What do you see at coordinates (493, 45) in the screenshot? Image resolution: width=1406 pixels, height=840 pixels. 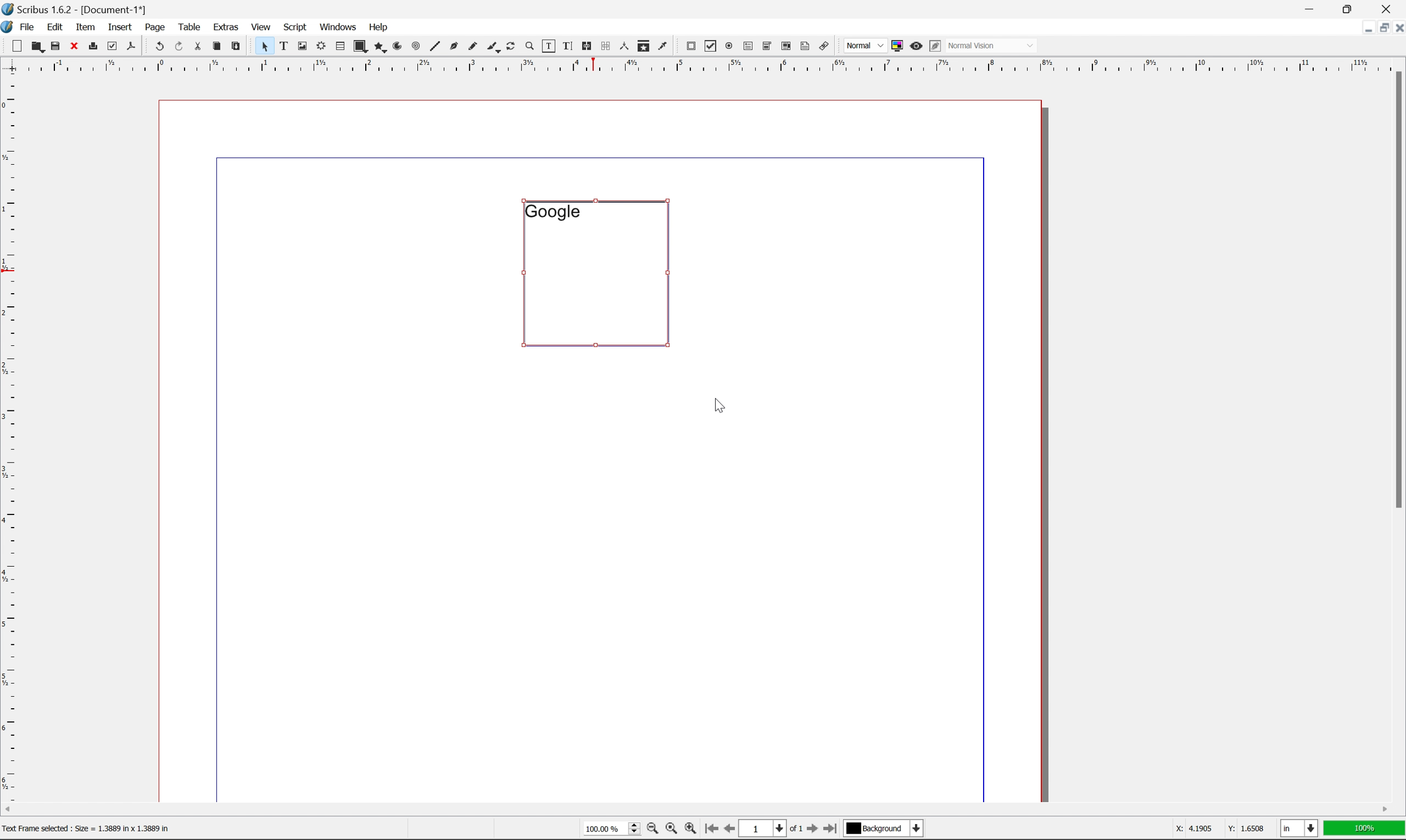 I see `calligraphy line` at bounding box center [493, 45].